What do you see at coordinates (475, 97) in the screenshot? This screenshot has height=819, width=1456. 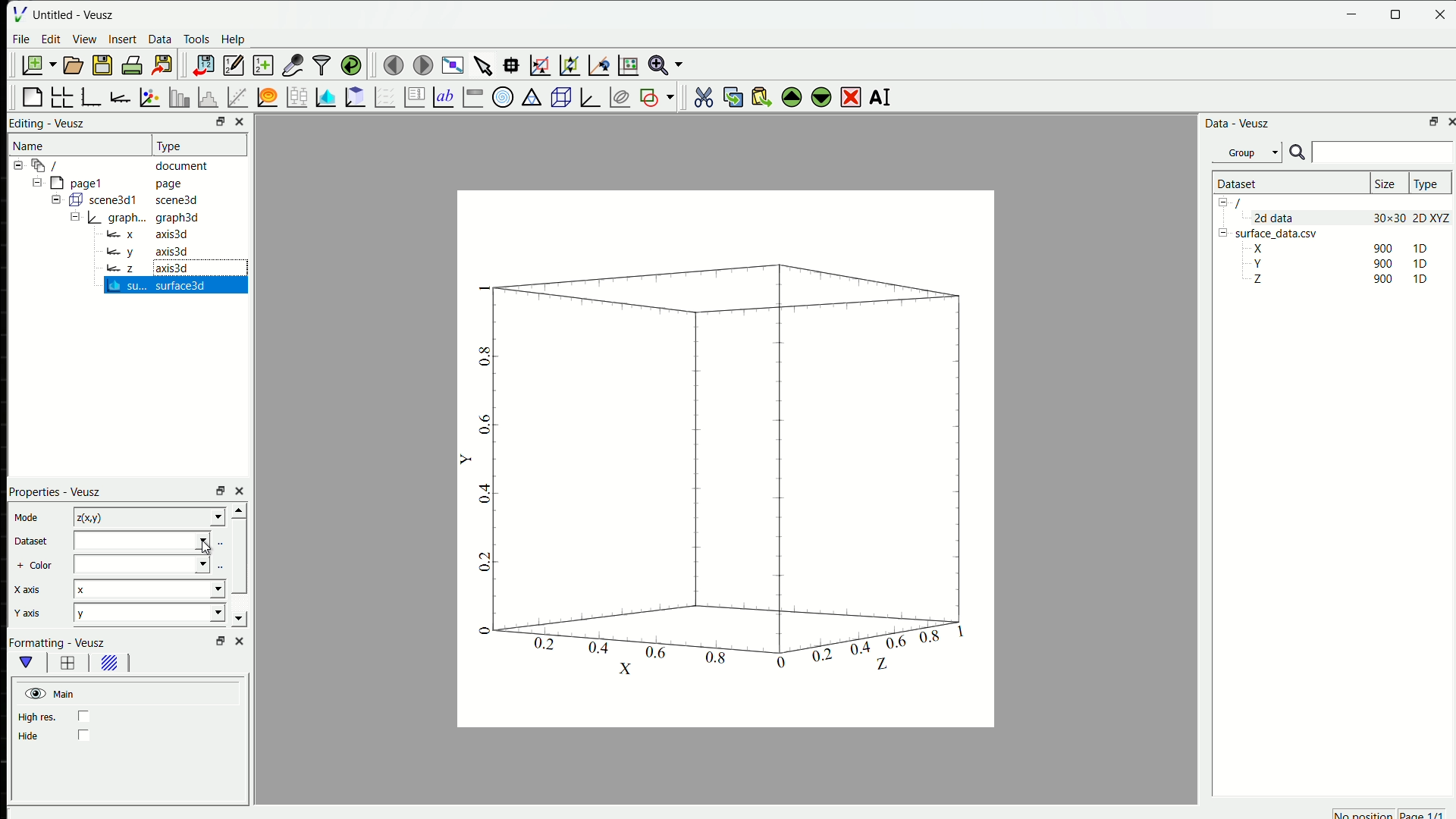 I see `image color bar` at bounding box center [475, 97].